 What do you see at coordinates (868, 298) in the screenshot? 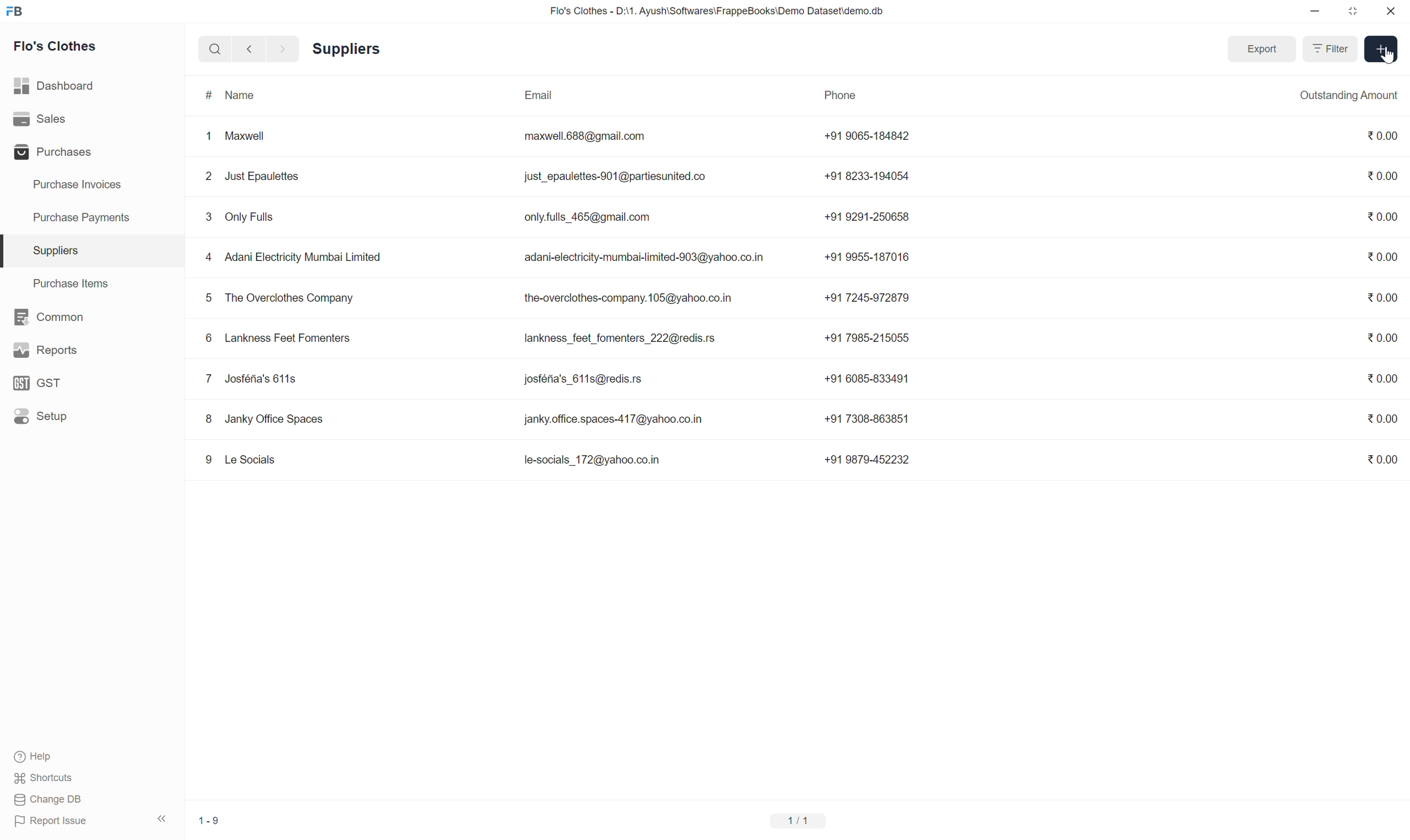
I see `+91 7245-972879` at bounding box center [868, 298].